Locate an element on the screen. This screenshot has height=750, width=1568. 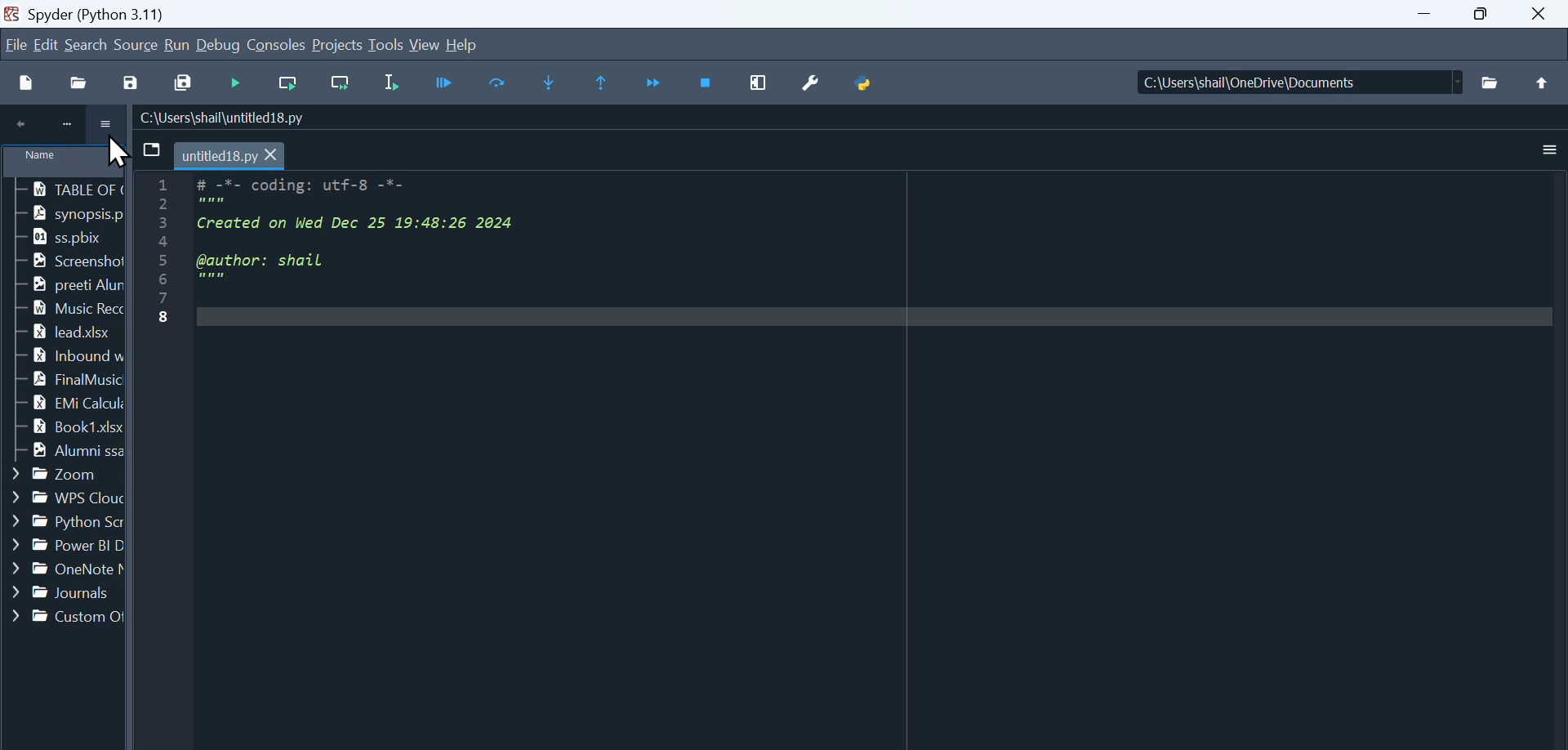
Save is located at coordinates (136, 79).